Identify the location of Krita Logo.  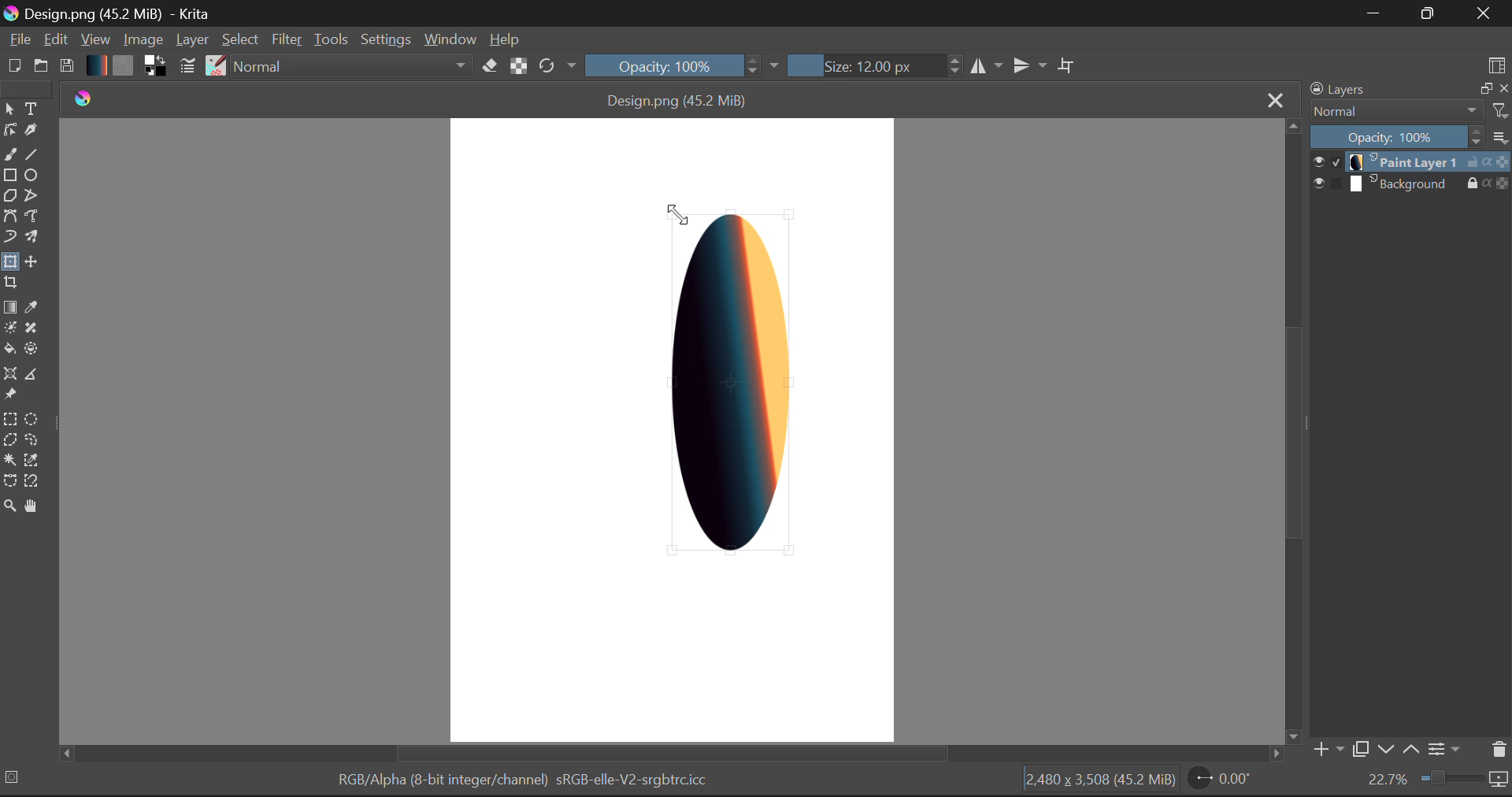
(81, 98).